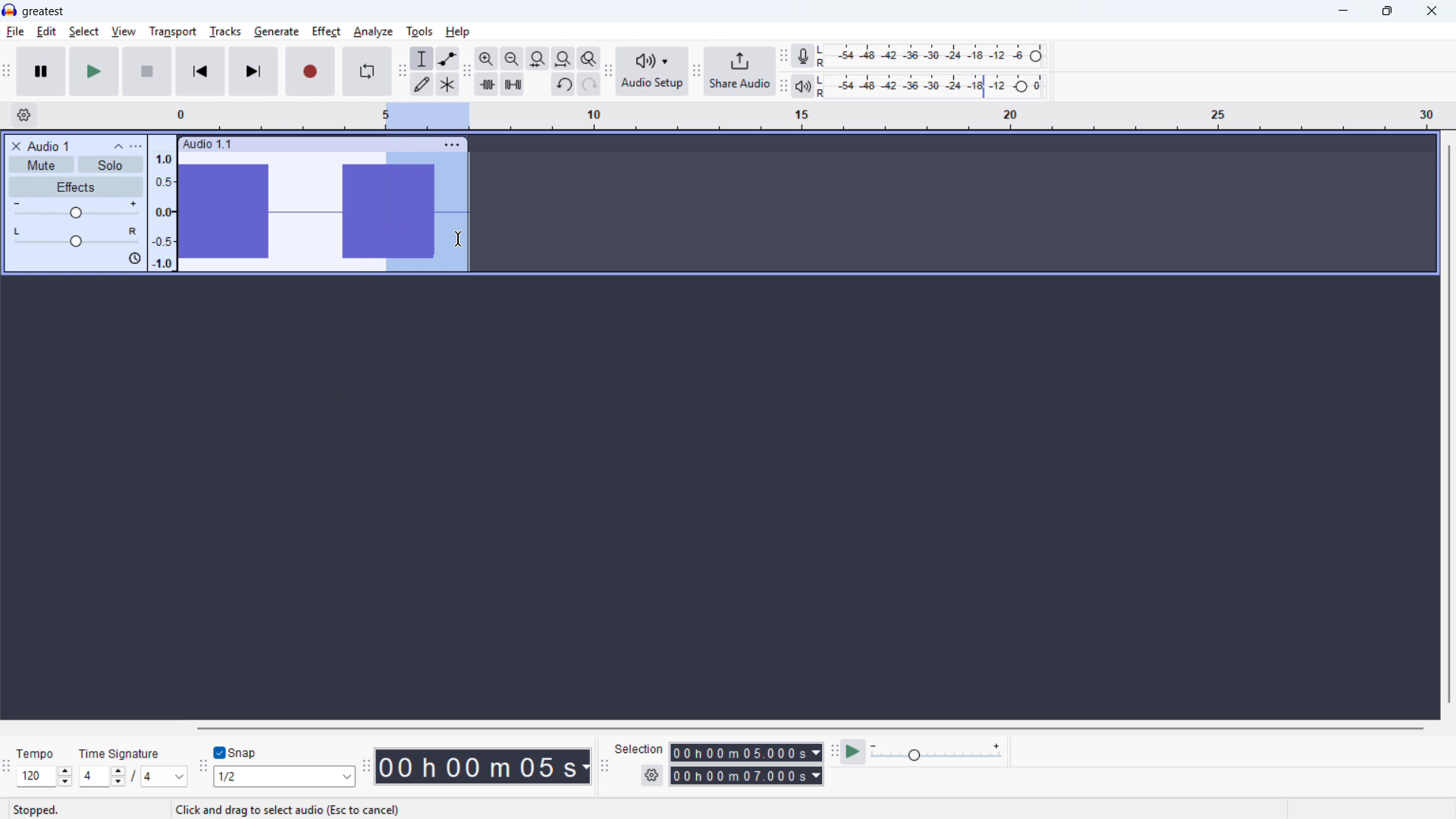  I want to click on , so click(325, 727).